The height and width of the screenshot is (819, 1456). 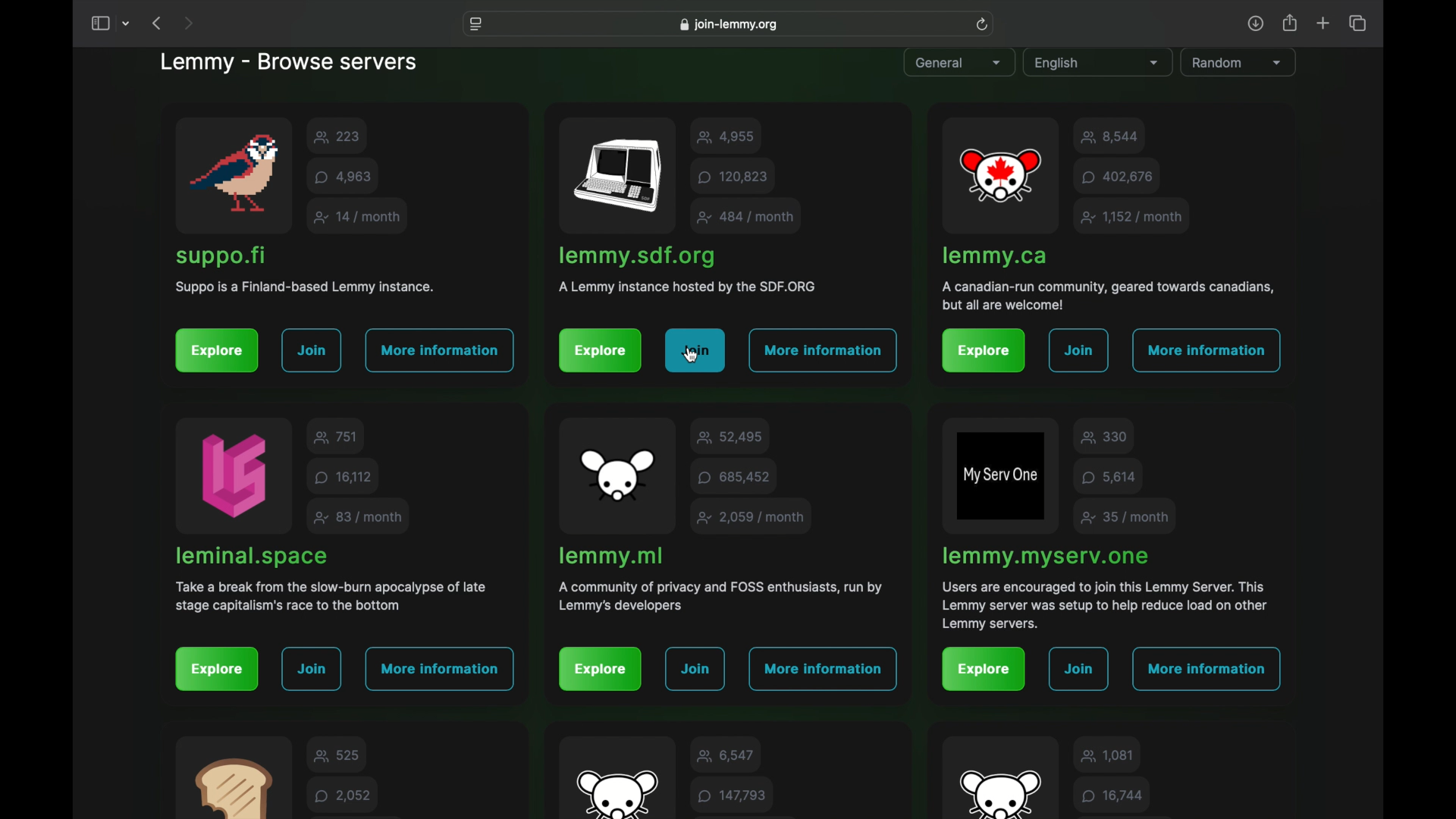 What do you see at coordinates (751, 518) in the screenshot?
I see `stat` at bounding box center [751, 518].